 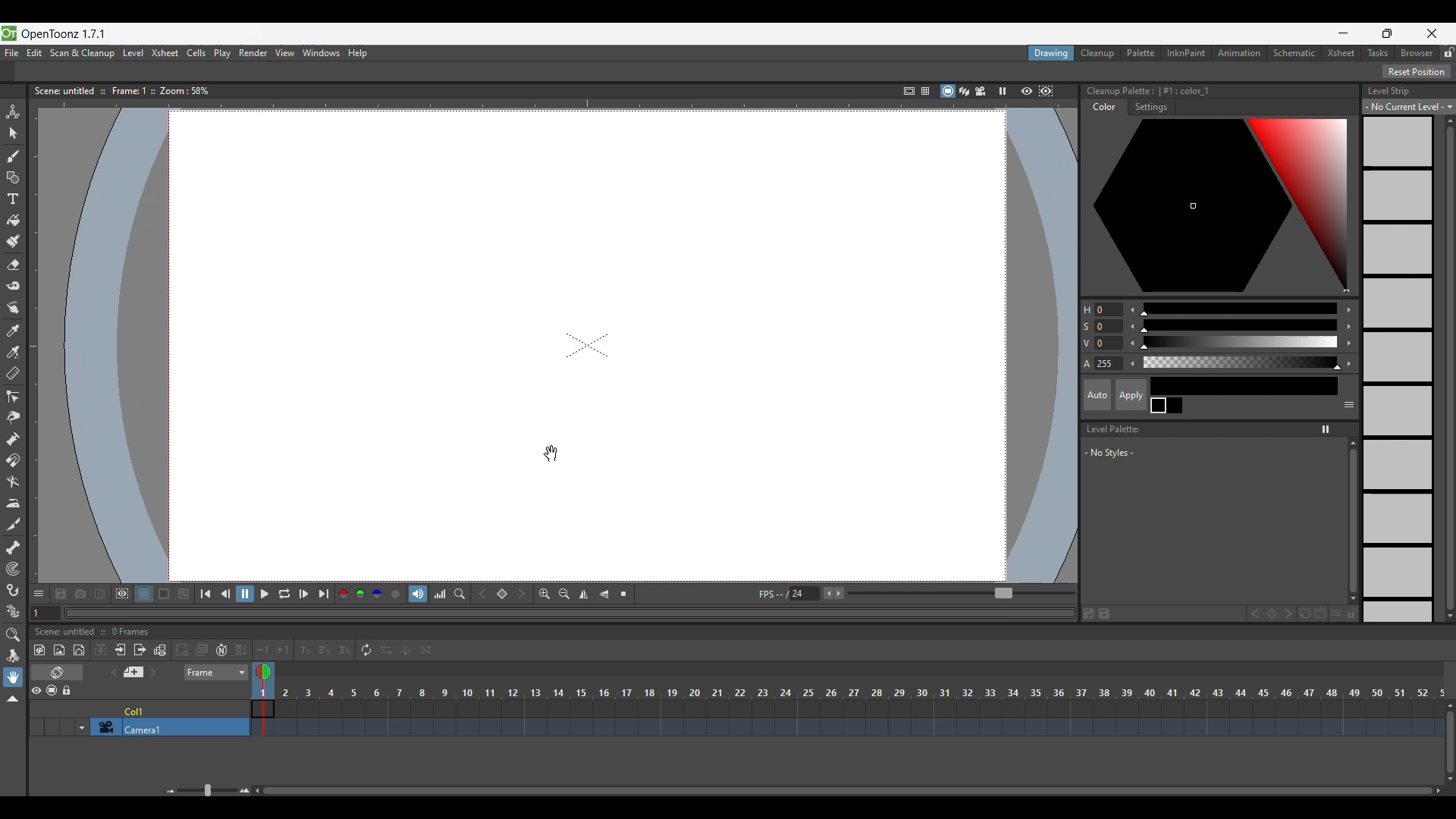 What do you see at coordinates (13, 241) in the screenshot?
I see `Paint brush tool` at bounding box center [13, 241].